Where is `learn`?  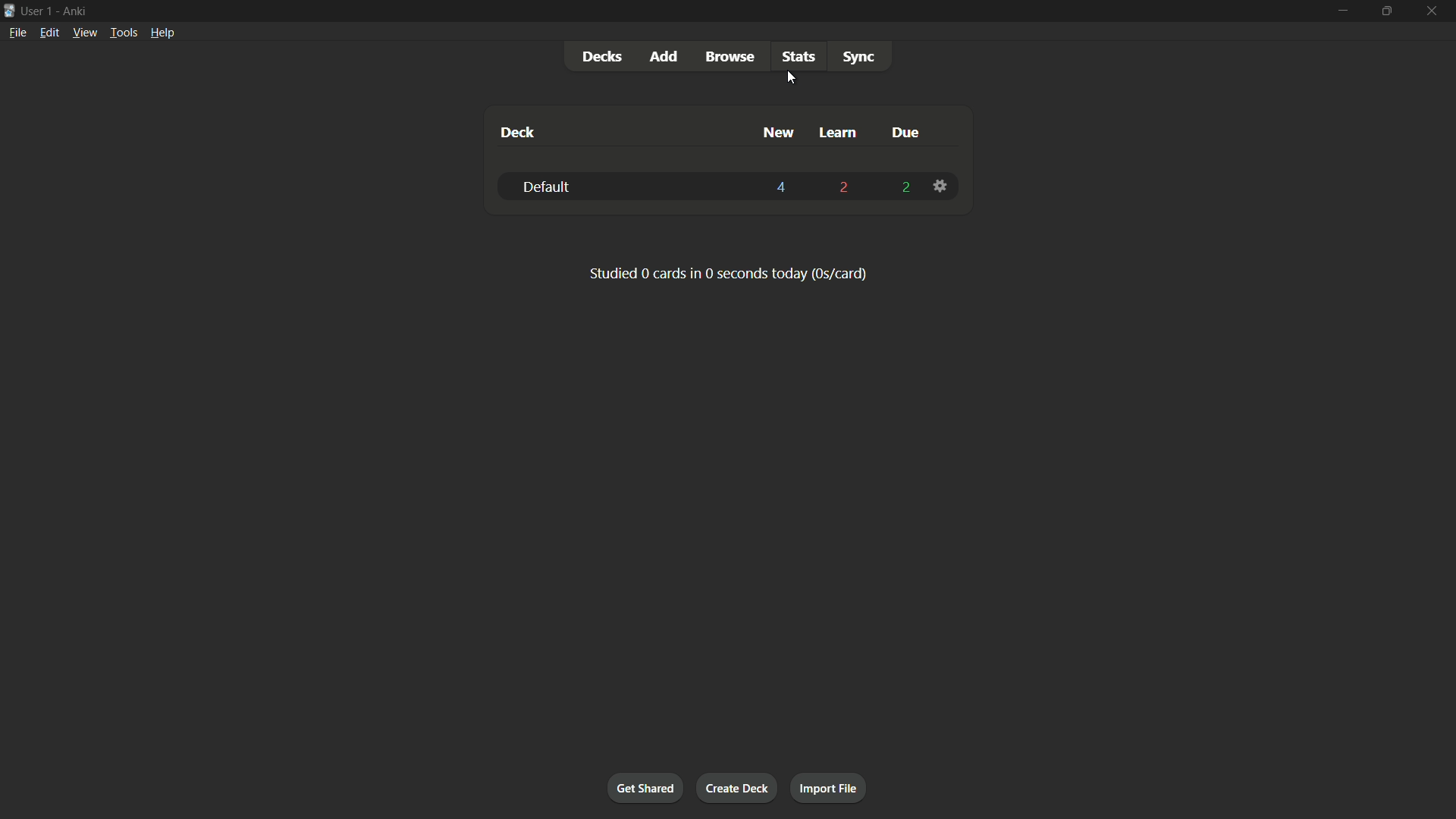 learn is located at coordinates (839, 133).